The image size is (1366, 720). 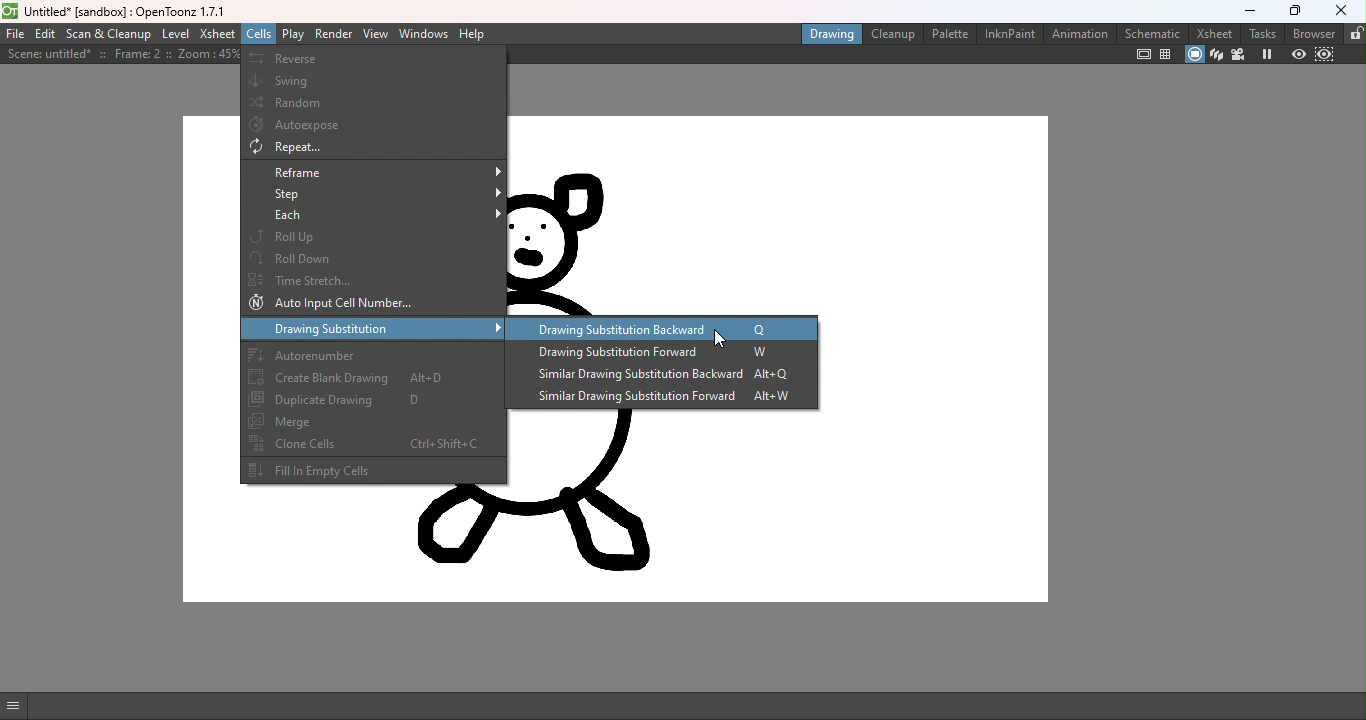 I want to click on Scene details, so click(x=120, y=56).